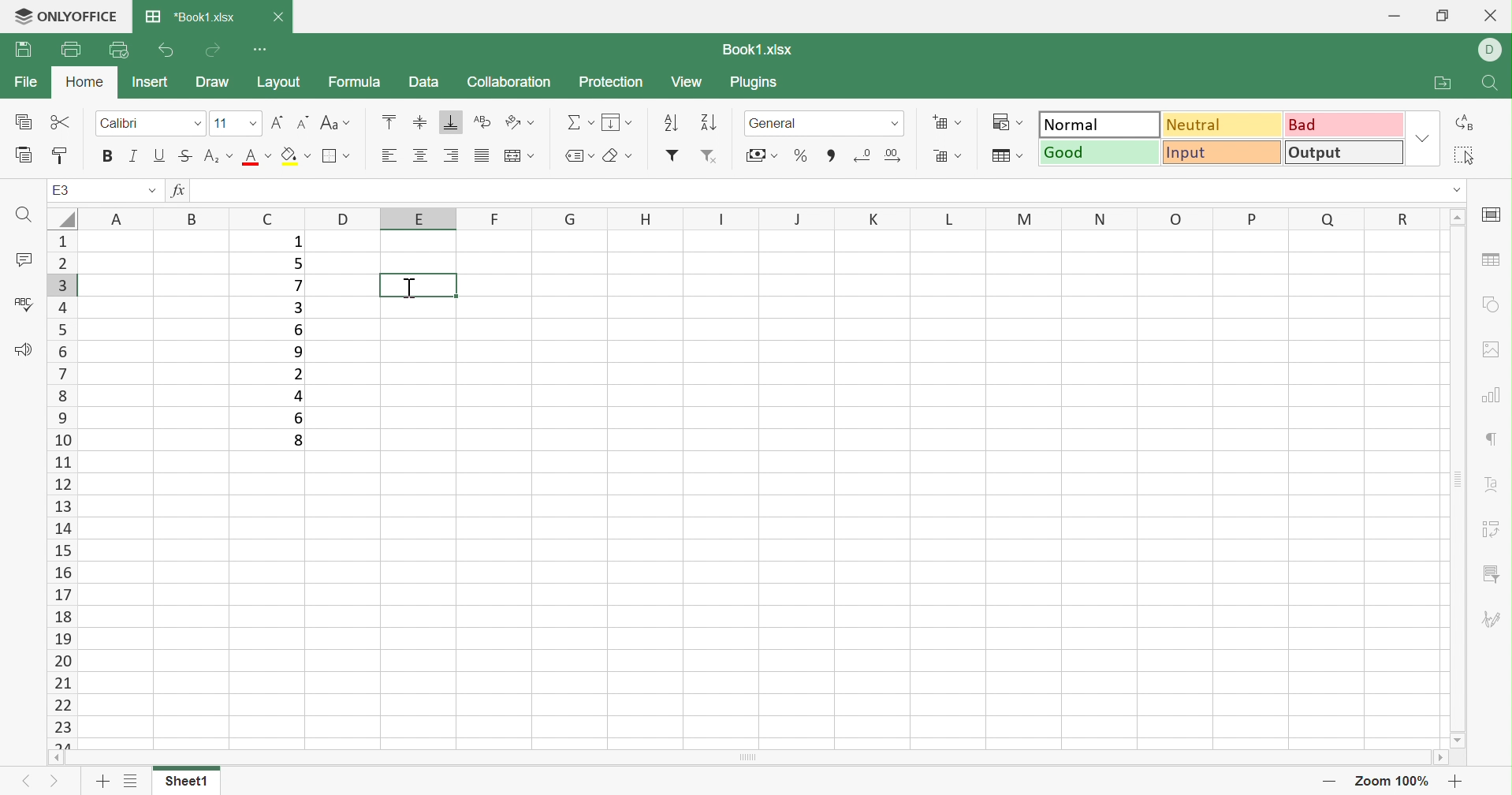 The height and width of the screenshot is (795, 1512). I want to click on Calibri, so click(121, 125).